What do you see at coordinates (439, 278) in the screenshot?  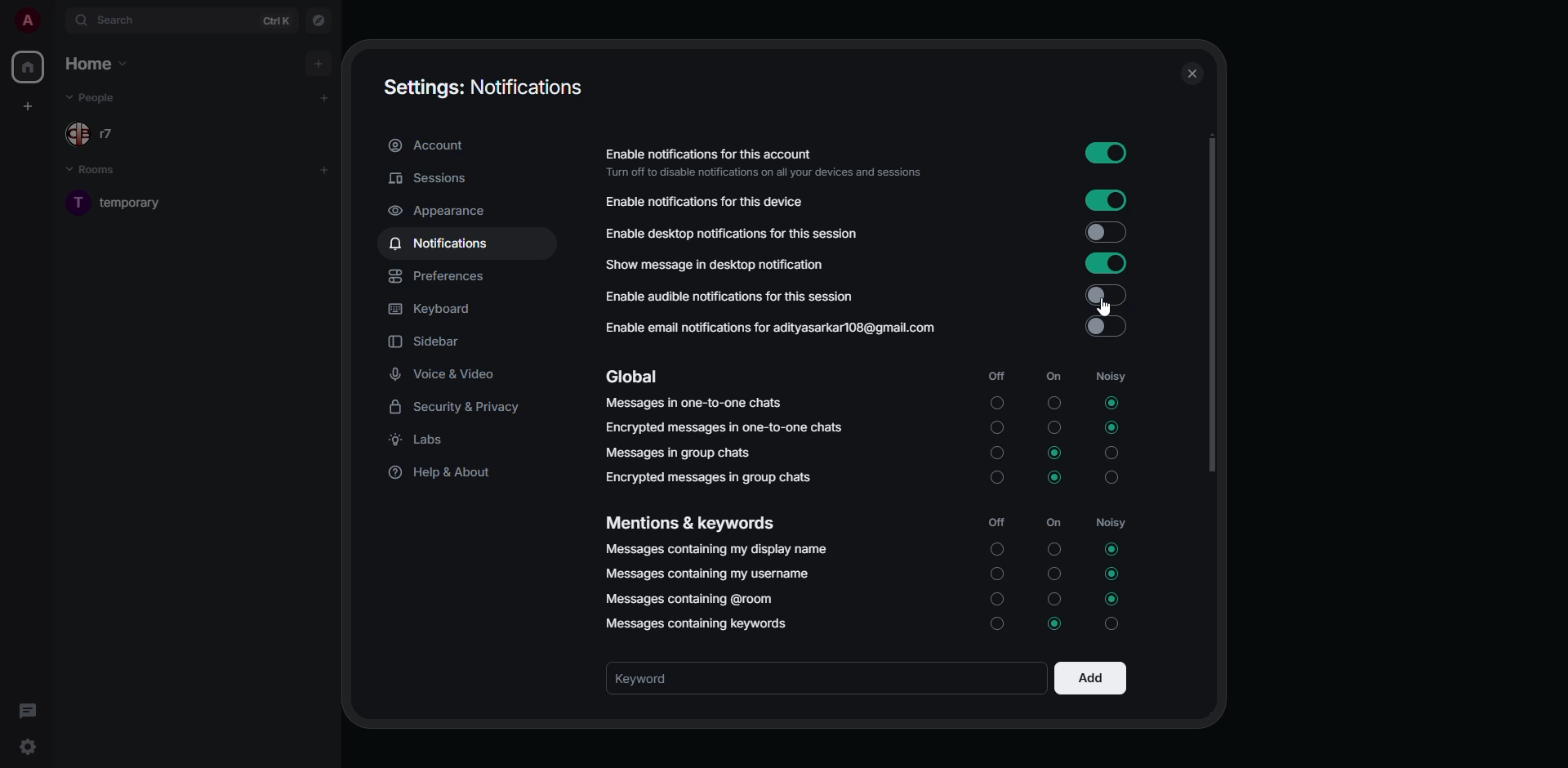 I see `preferences` at bounding box center [439, 278].